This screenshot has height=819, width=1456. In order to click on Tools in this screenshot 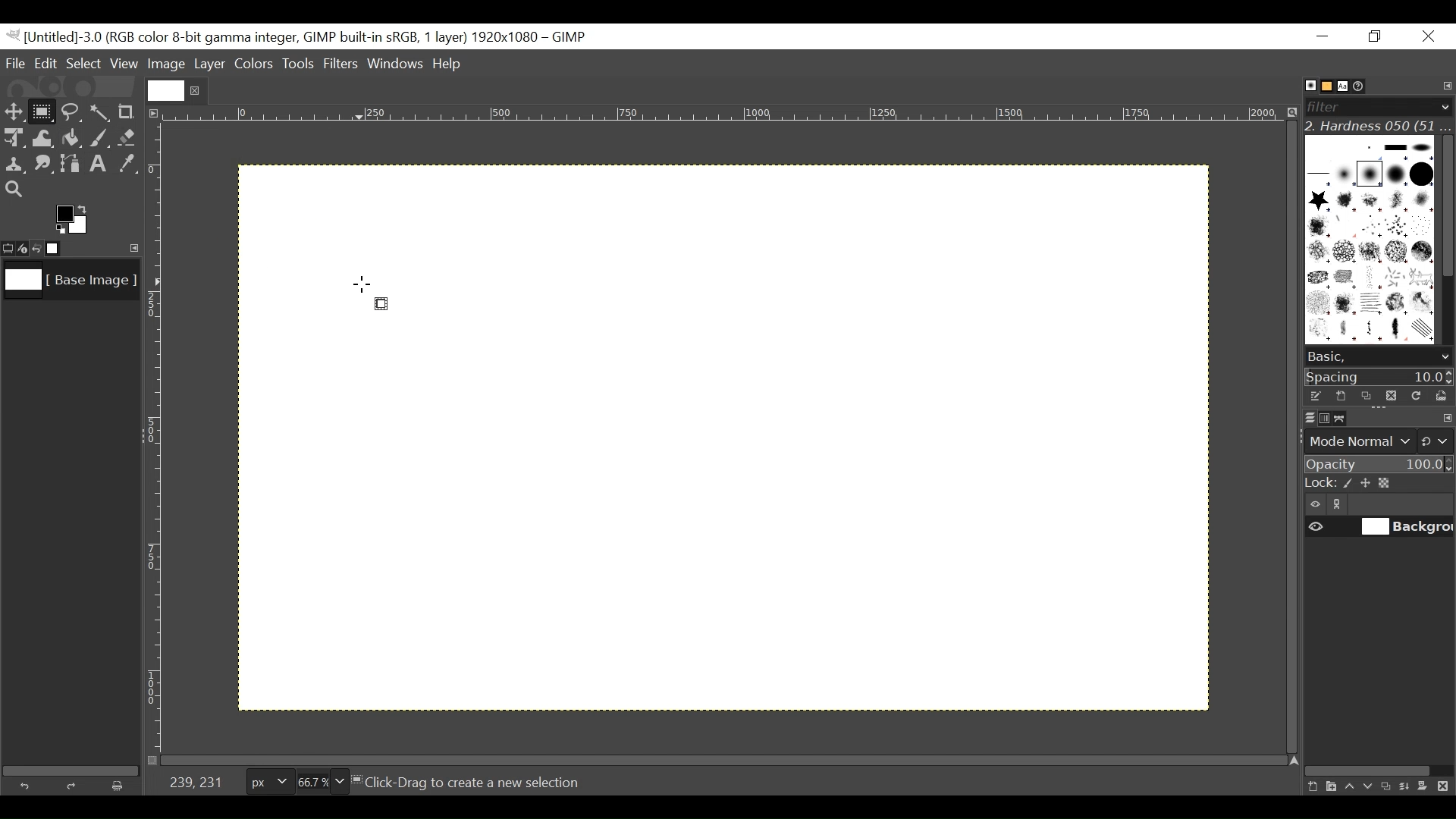, I will do `click(300, 65)`.